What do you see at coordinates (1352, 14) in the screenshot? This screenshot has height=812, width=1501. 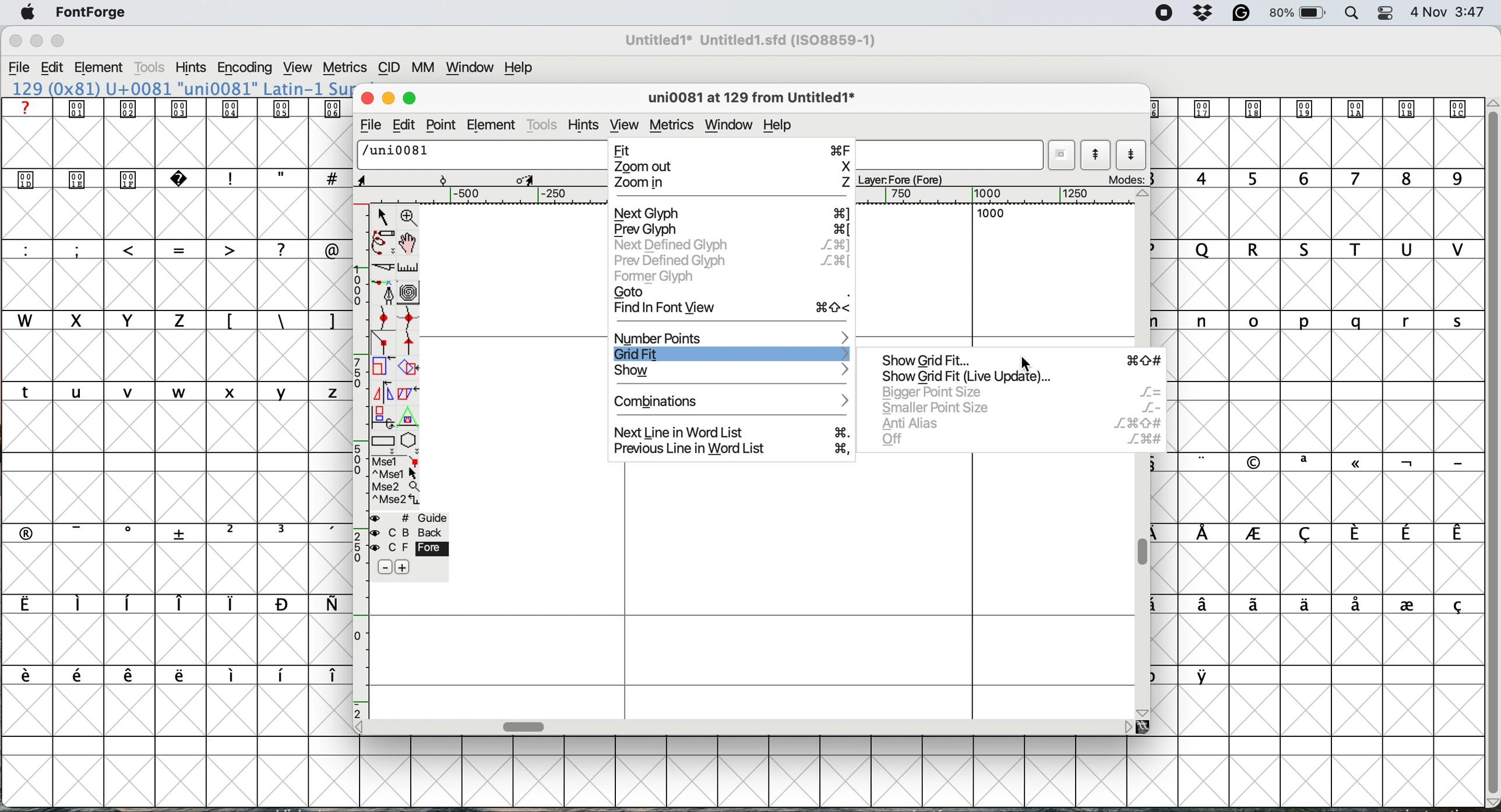 I see `Spotlight Search` at bounding box center [1352, 14].